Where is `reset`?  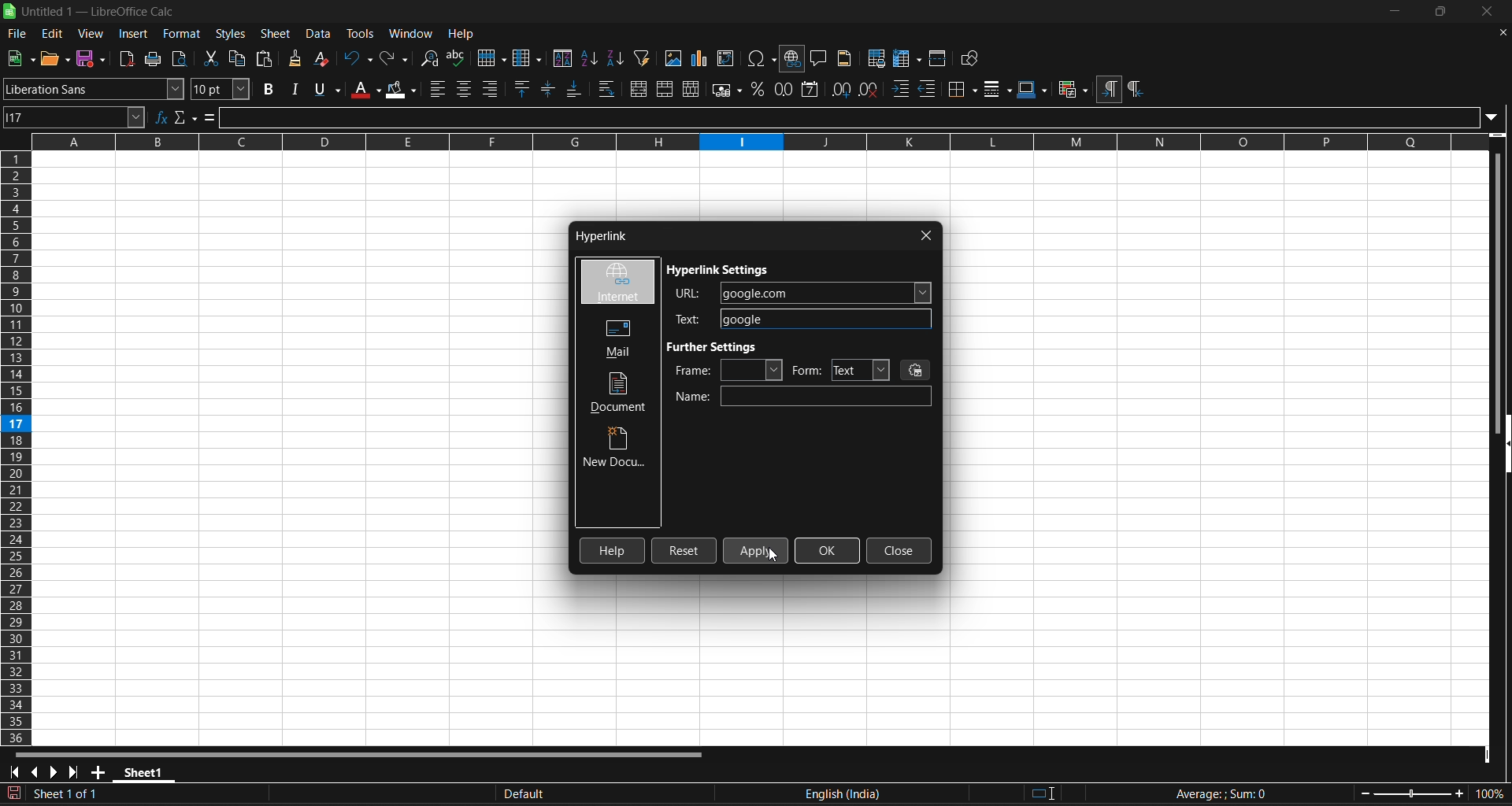
reset is located at coordinates (684, 551).